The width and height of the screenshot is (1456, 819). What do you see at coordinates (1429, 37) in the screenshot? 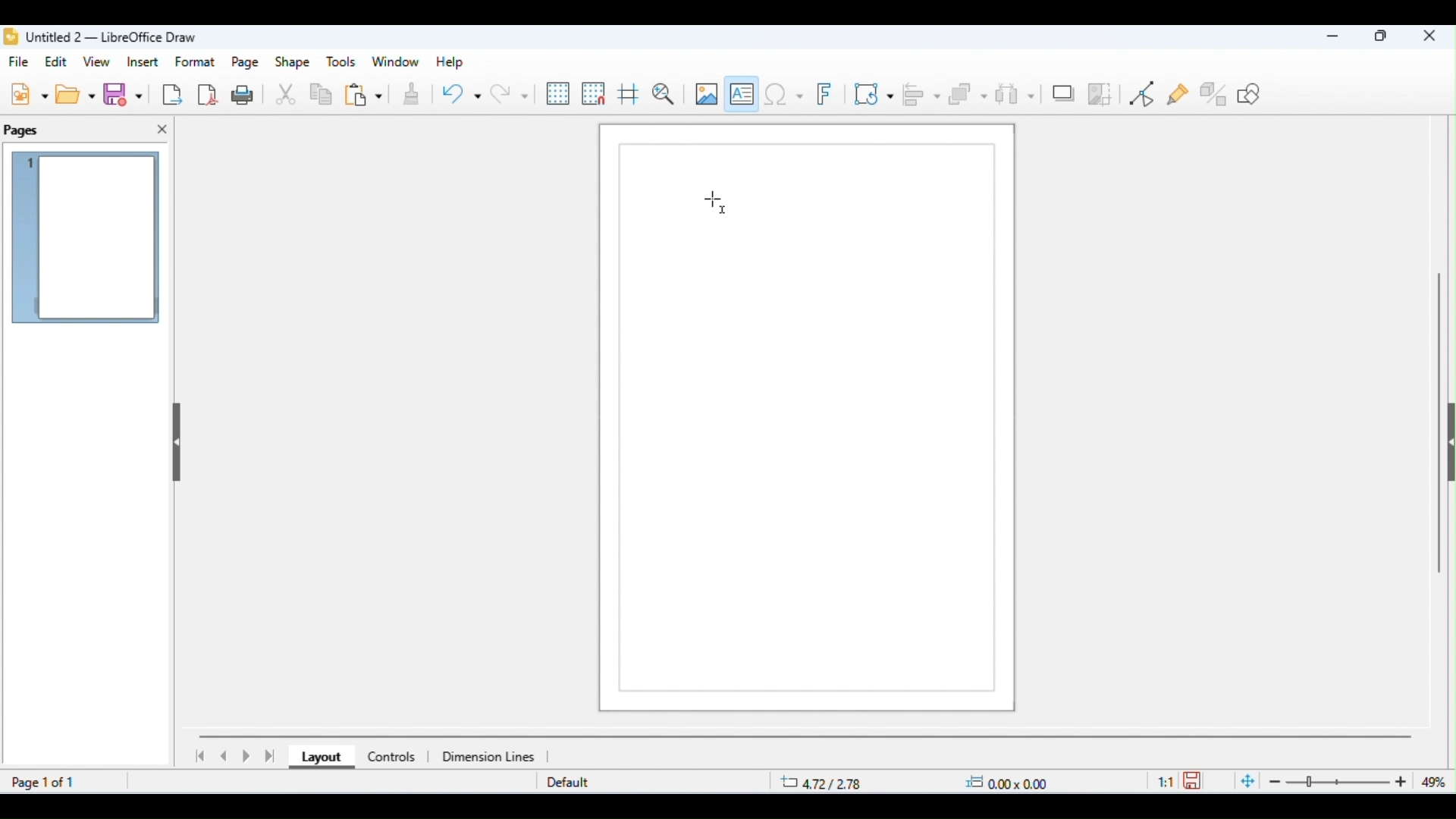
I see `close` at bounding box center [1429, 37].